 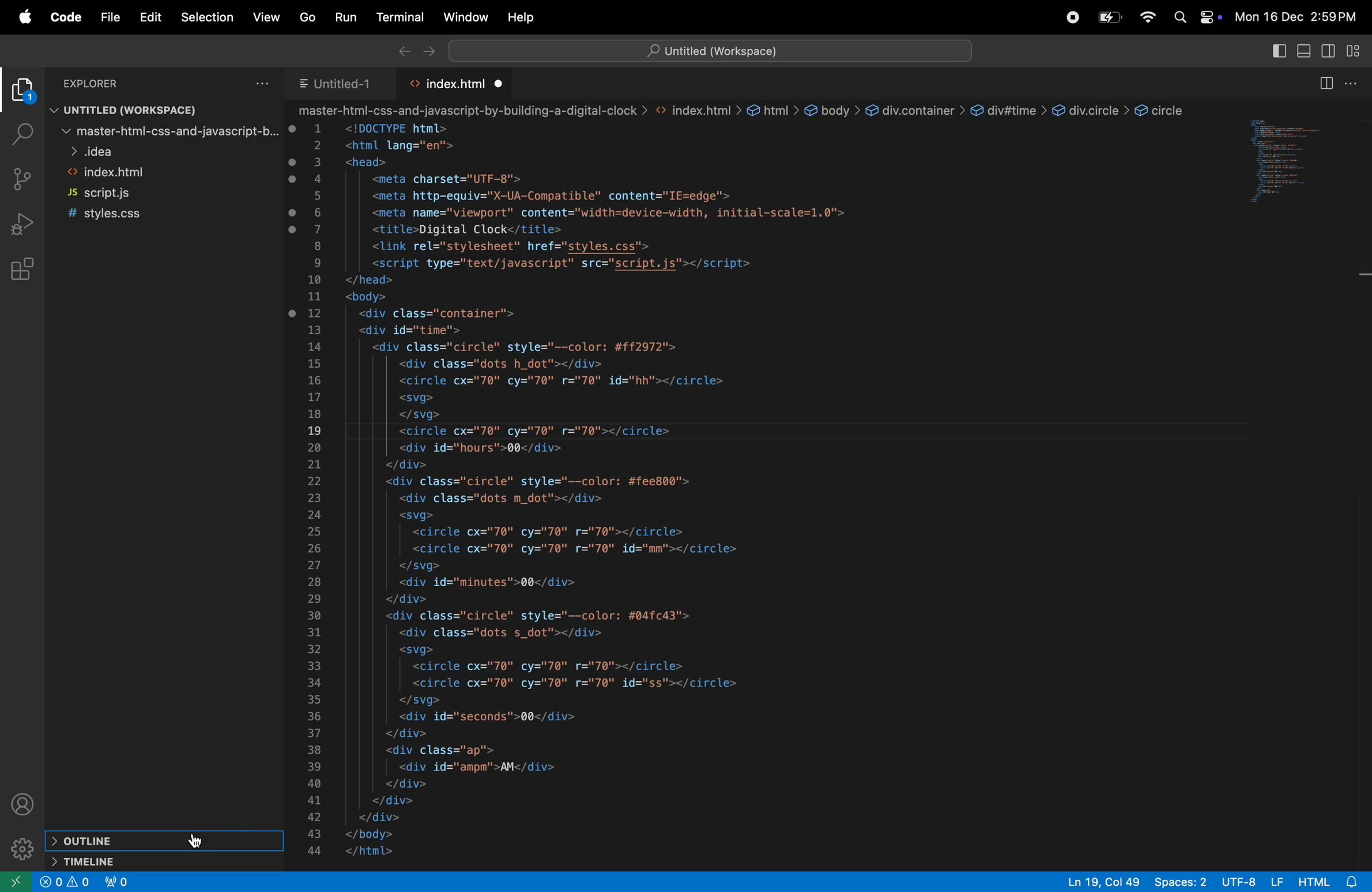 What do you see at coordinates (161, 841) in the screenshot?
I see `out line` at bounding box center [161, 841].